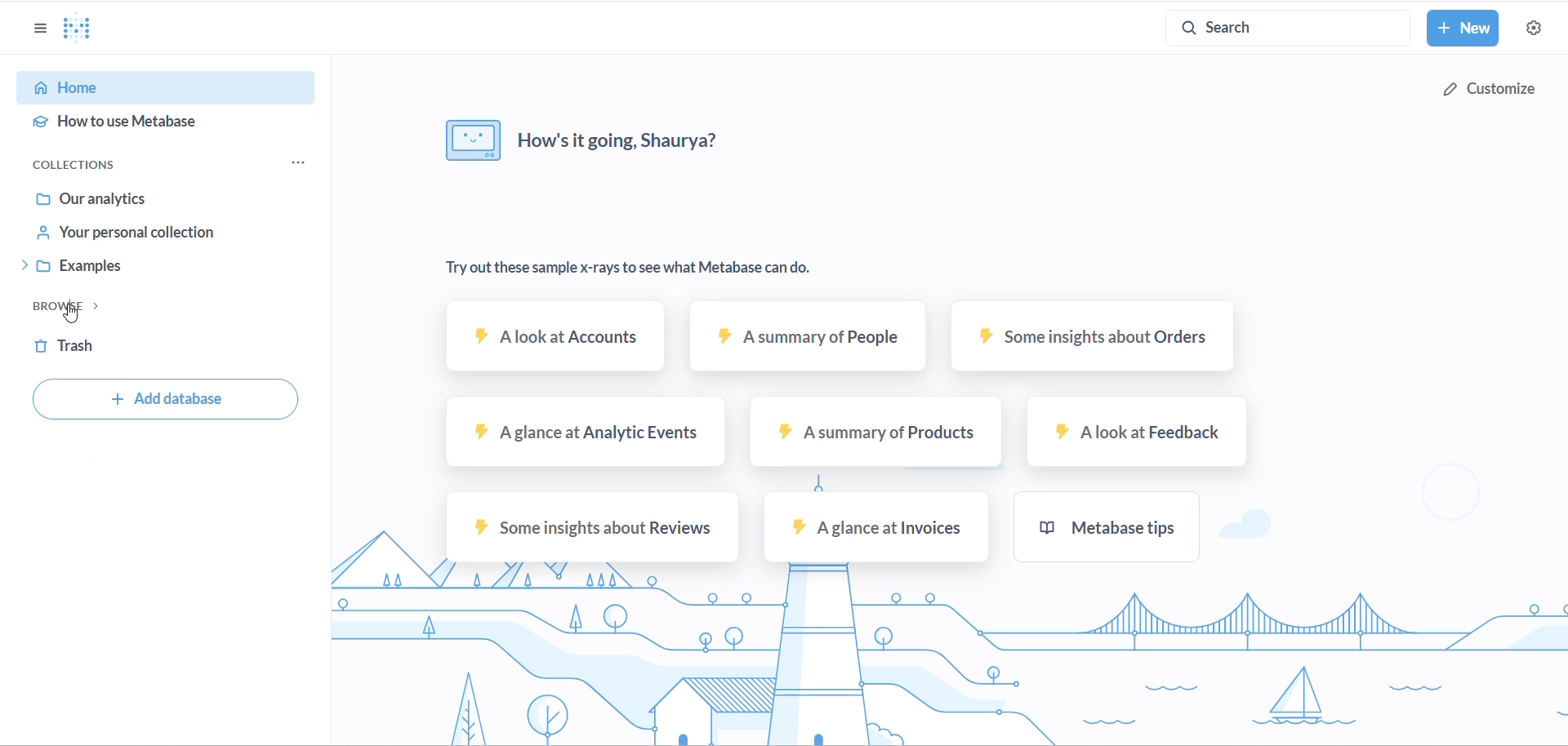 The image size is (1568, 746). Describe the element at coordinates (145, 235) in the screenshot. I see `YOUR PERSONAL COLLECTION` at that location.